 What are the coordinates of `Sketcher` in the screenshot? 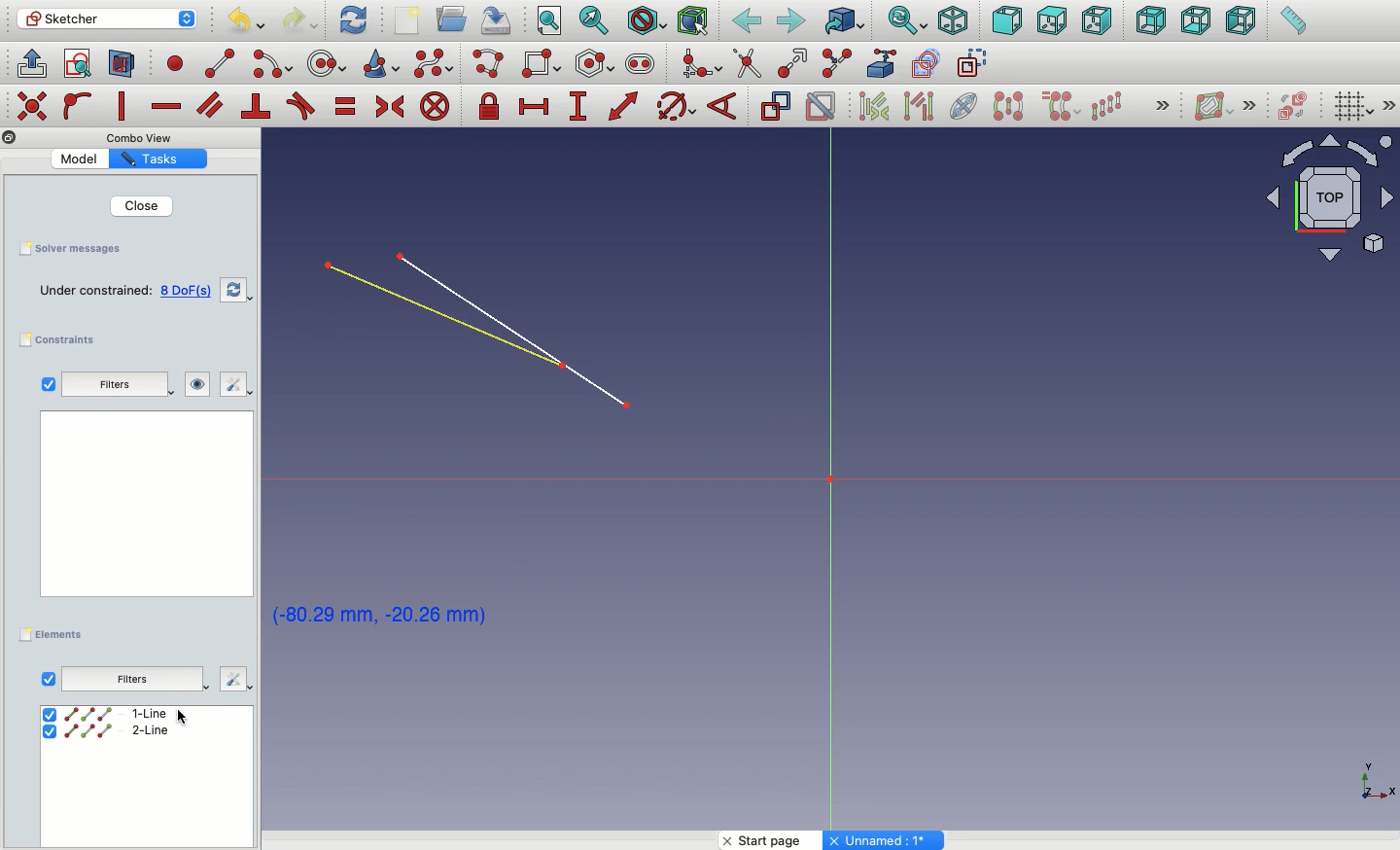 It's located at (108, 19).